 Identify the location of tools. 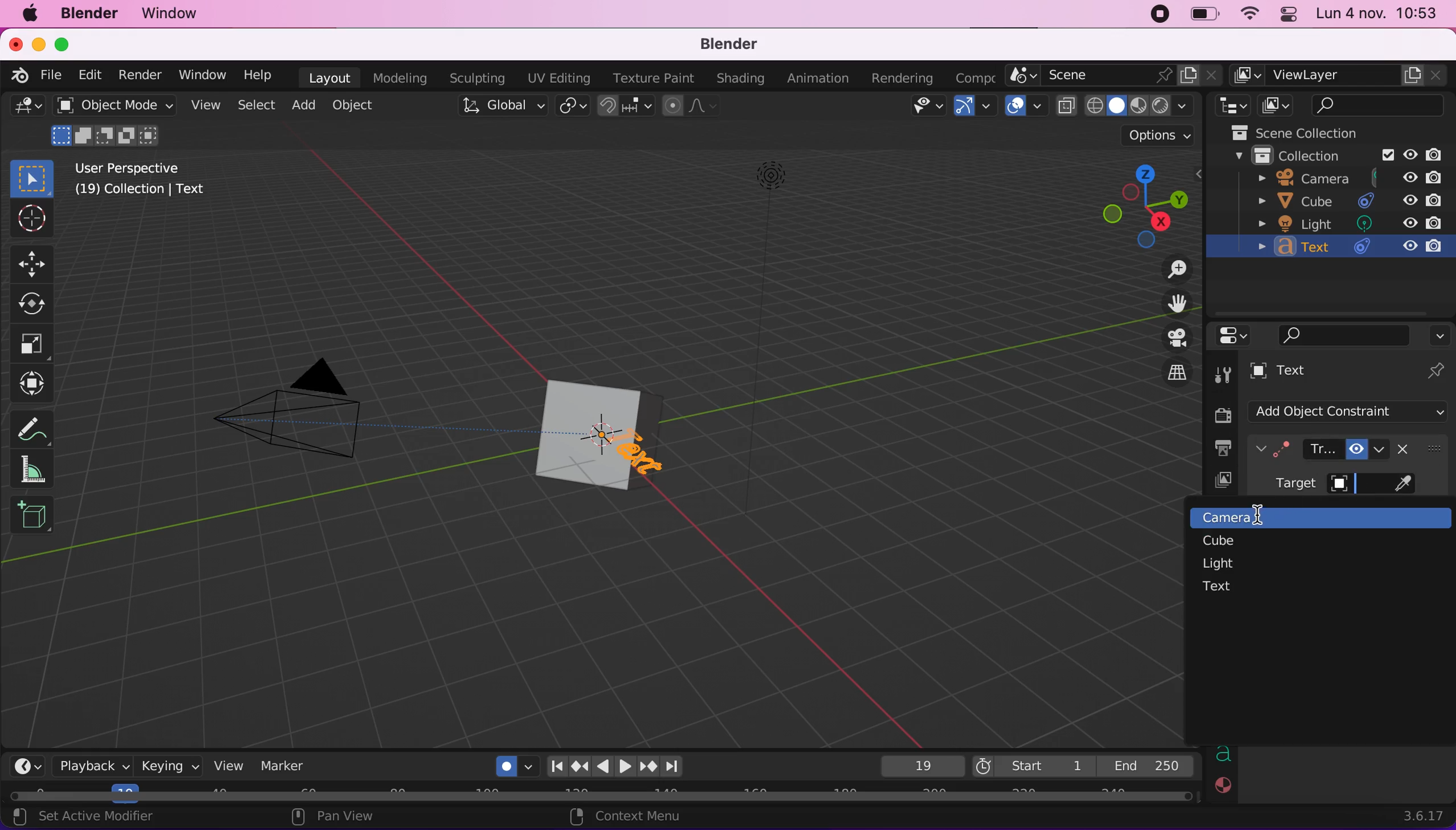
(1226, 371).